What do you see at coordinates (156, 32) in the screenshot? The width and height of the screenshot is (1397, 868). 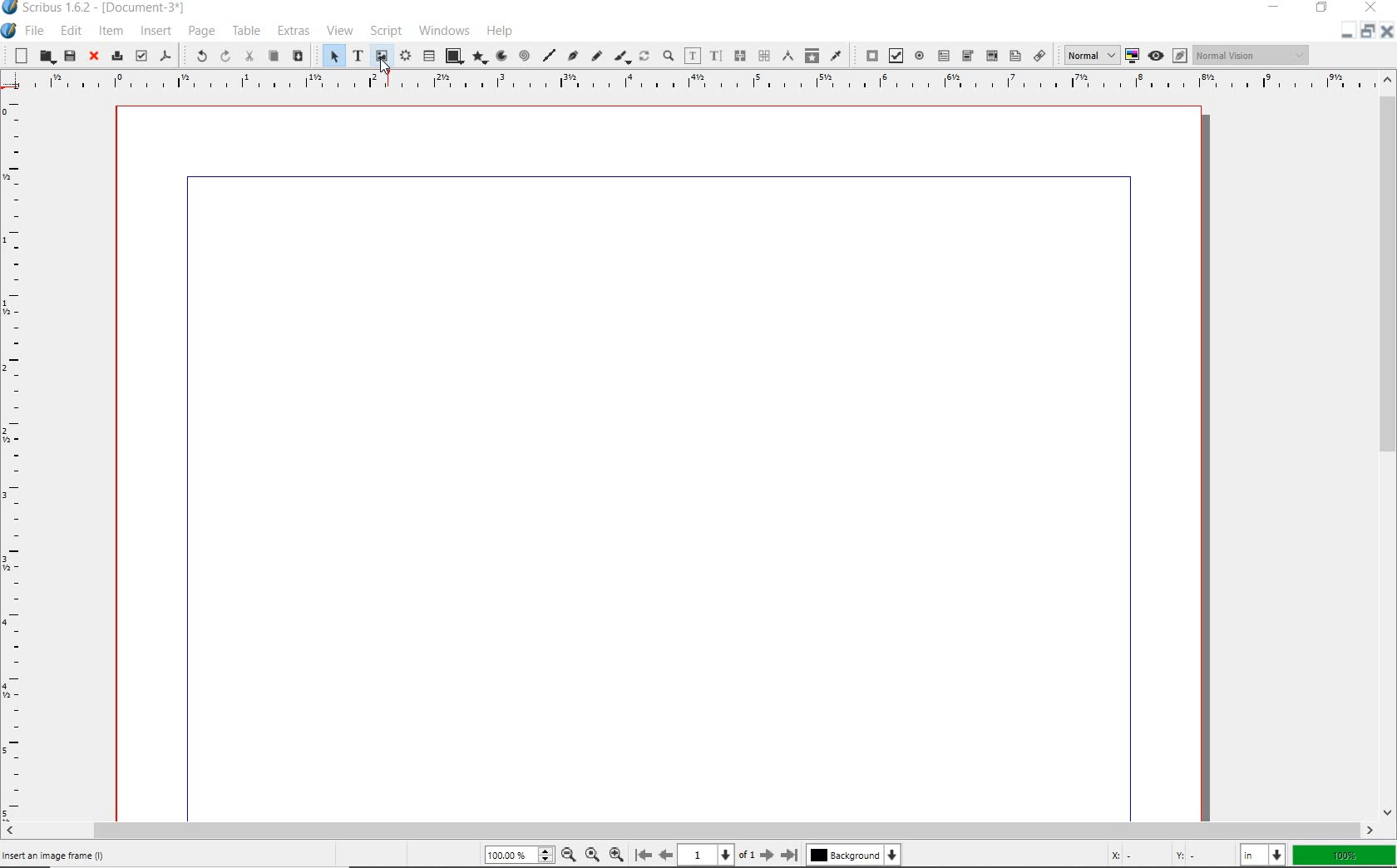 I see `INSERT` at bounding box center [156, 32].